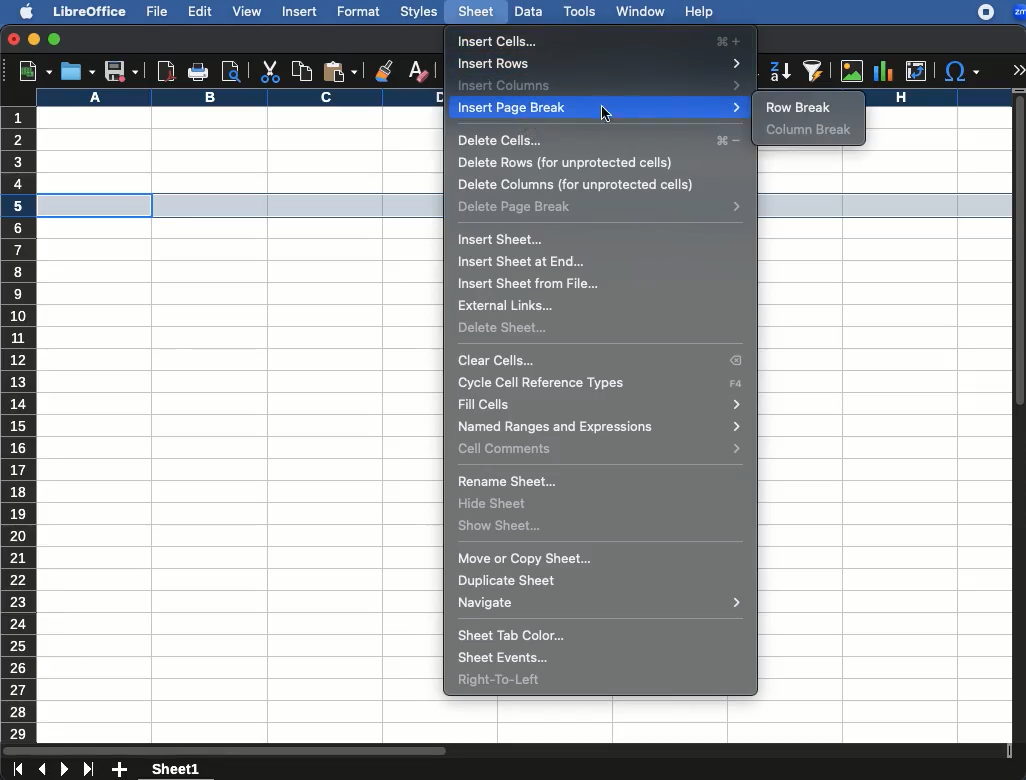  I want to click on insert columns, so click(599, 85).